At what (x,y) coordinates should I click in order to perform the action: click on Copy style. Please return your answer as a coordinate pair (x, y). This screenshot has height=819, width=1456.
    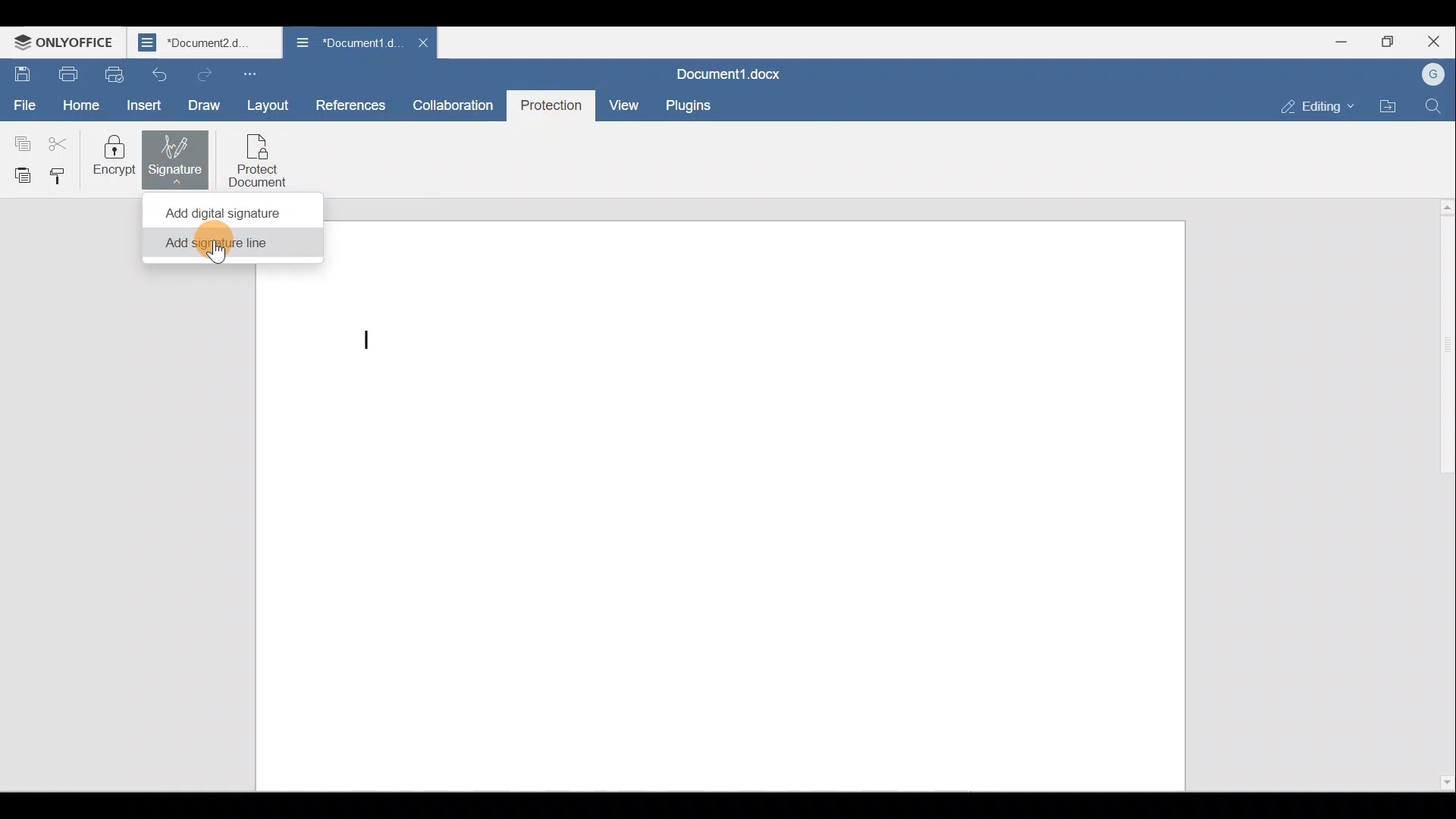
    Looking at the image, I should click on (58, 174).